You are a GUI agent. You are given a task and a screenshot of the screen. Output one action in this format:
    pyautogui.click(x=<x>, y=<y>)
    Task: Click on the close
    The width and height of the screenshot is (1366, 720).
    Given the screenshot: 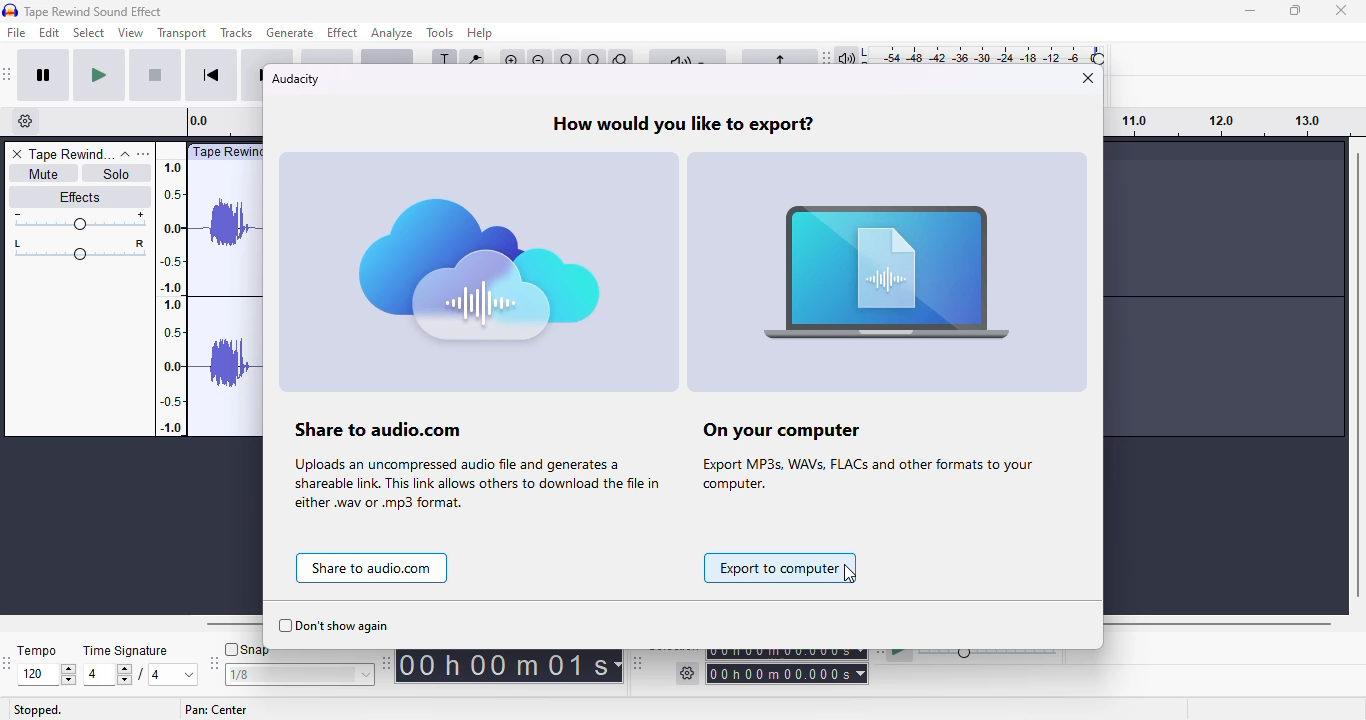 What is the action you would take?
    pyautogui.click(x=1089, y=77)
    